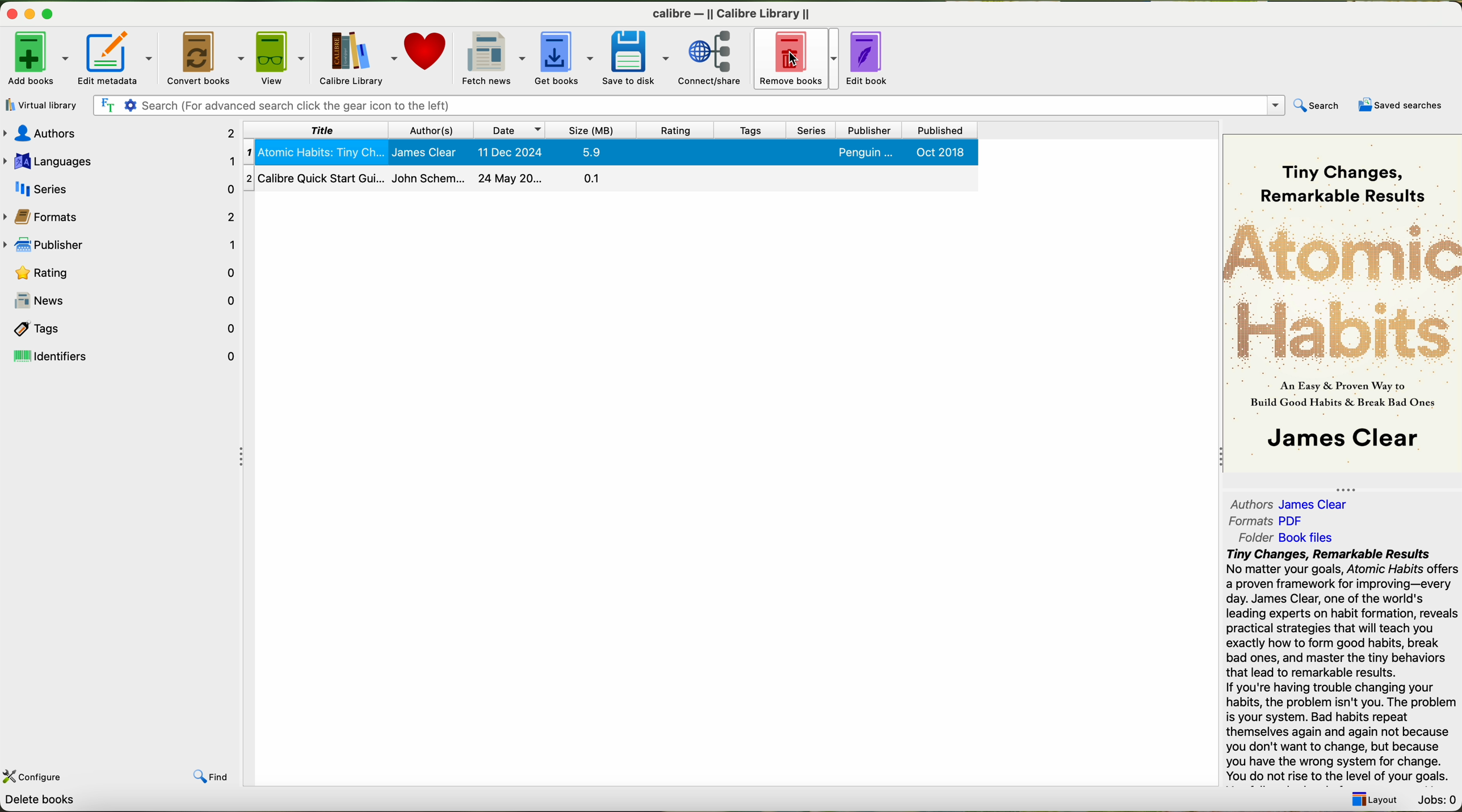  Describe the element at coordinates (427, 54) in the screenshot. I see `donate` at that location.